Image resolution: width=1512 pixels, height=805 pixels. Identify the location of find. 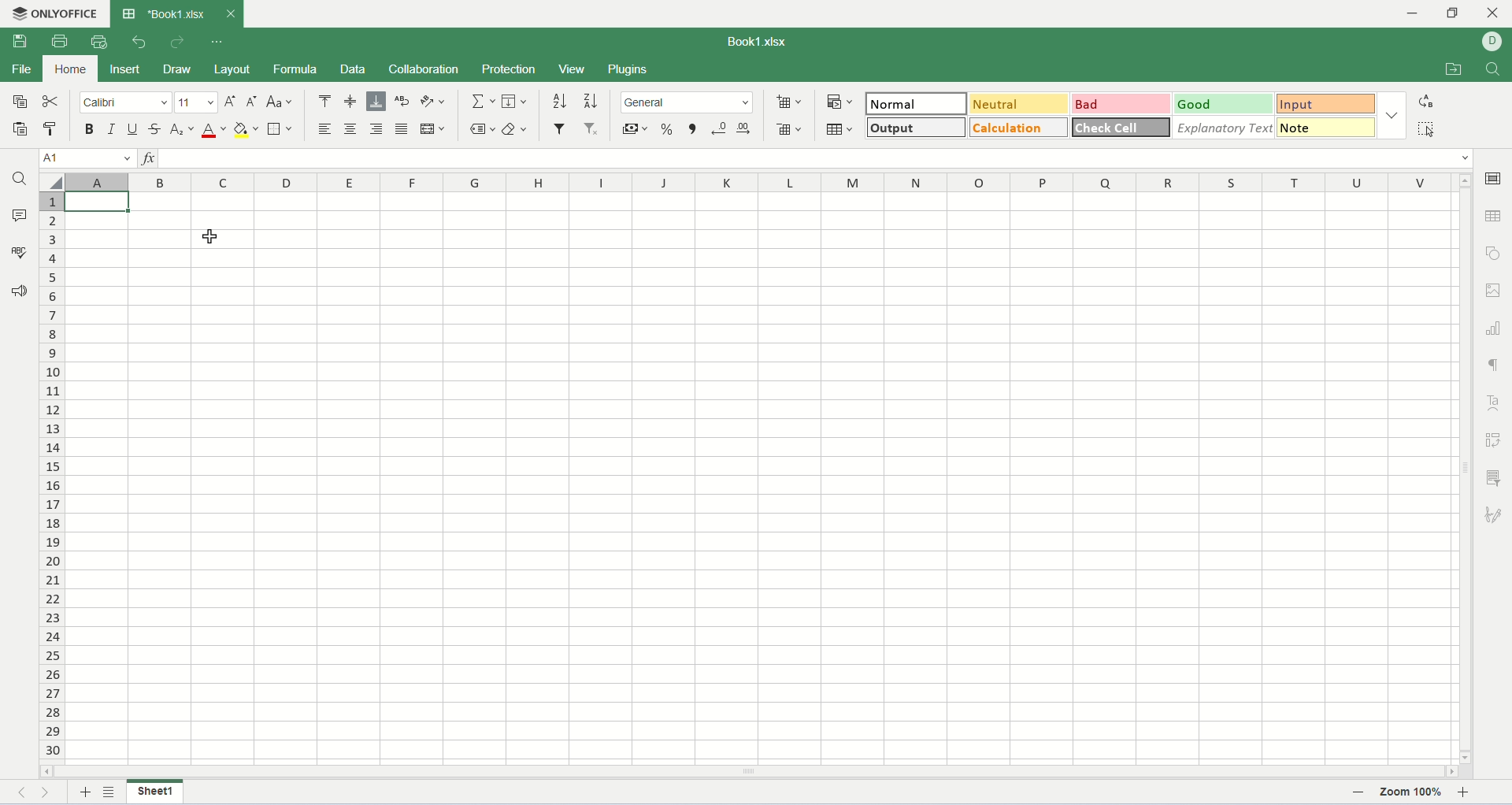
(19, 180).